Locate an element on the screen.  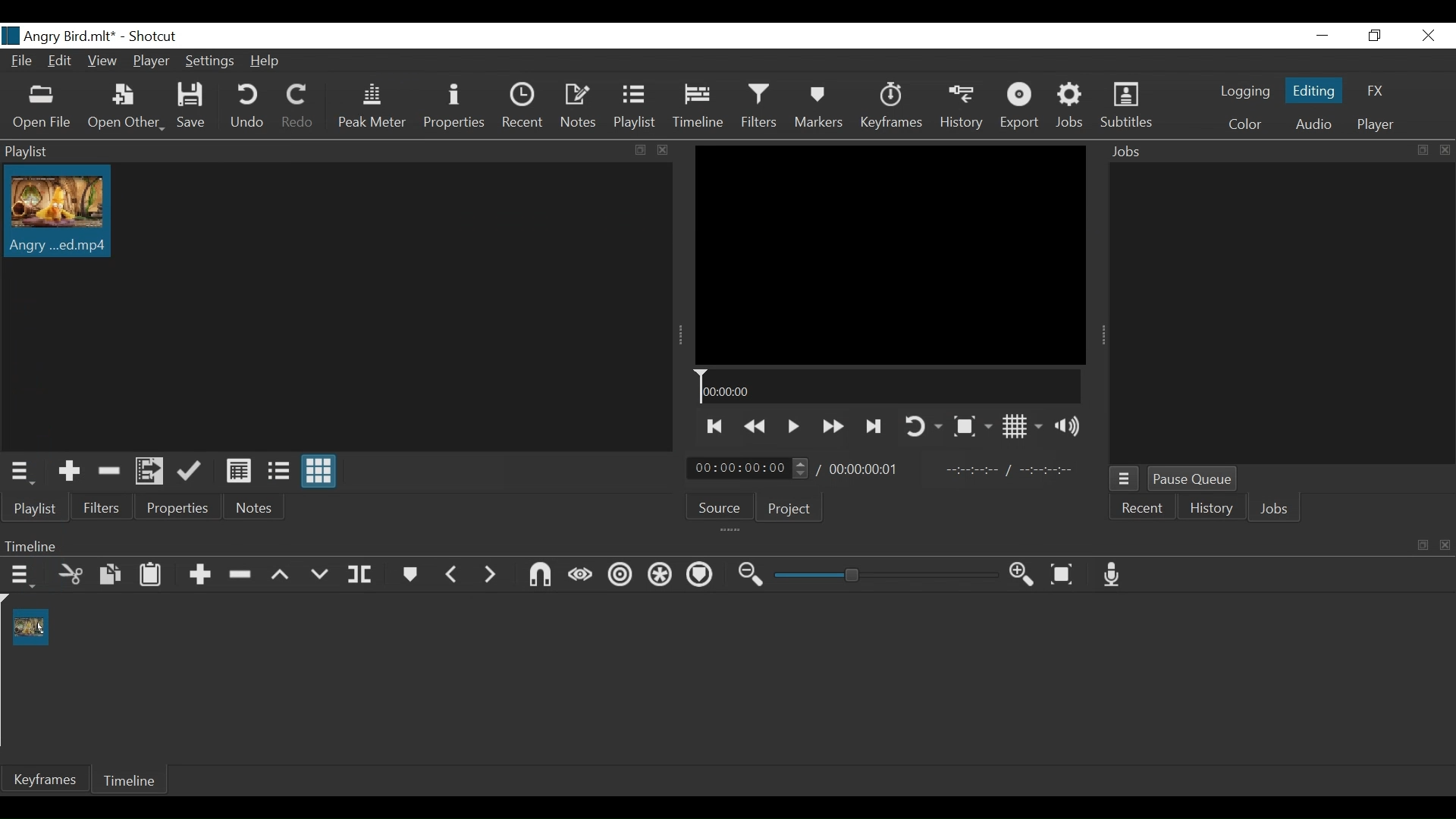
Previous marker is located at coordinates (452, 574).